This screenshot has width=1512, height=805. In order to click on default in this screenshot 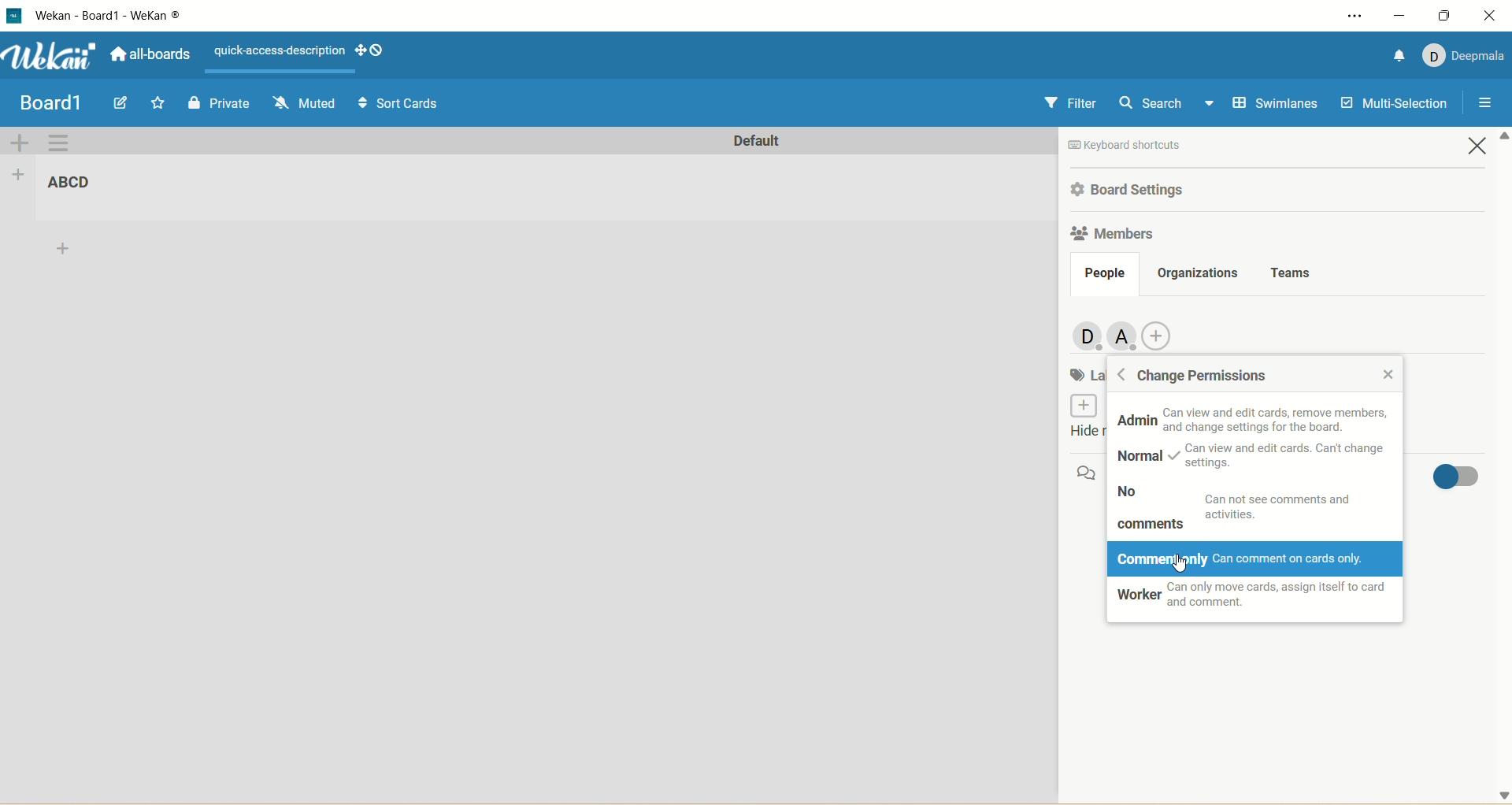, I will do `click(755, 143)`.